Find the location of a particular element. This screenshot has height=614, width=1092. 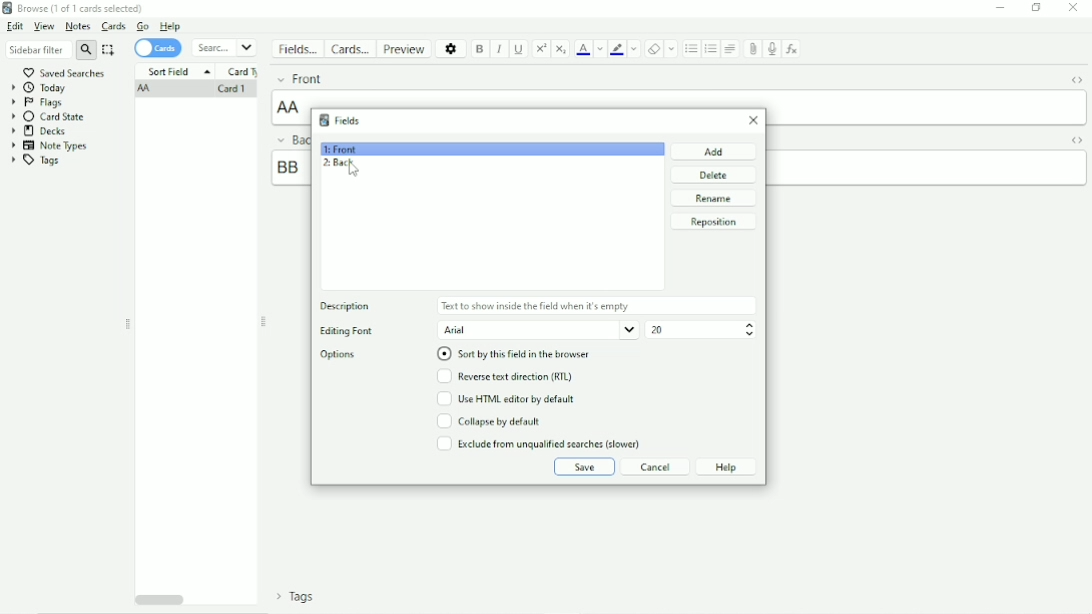

View is located at coordinates (44, 27).